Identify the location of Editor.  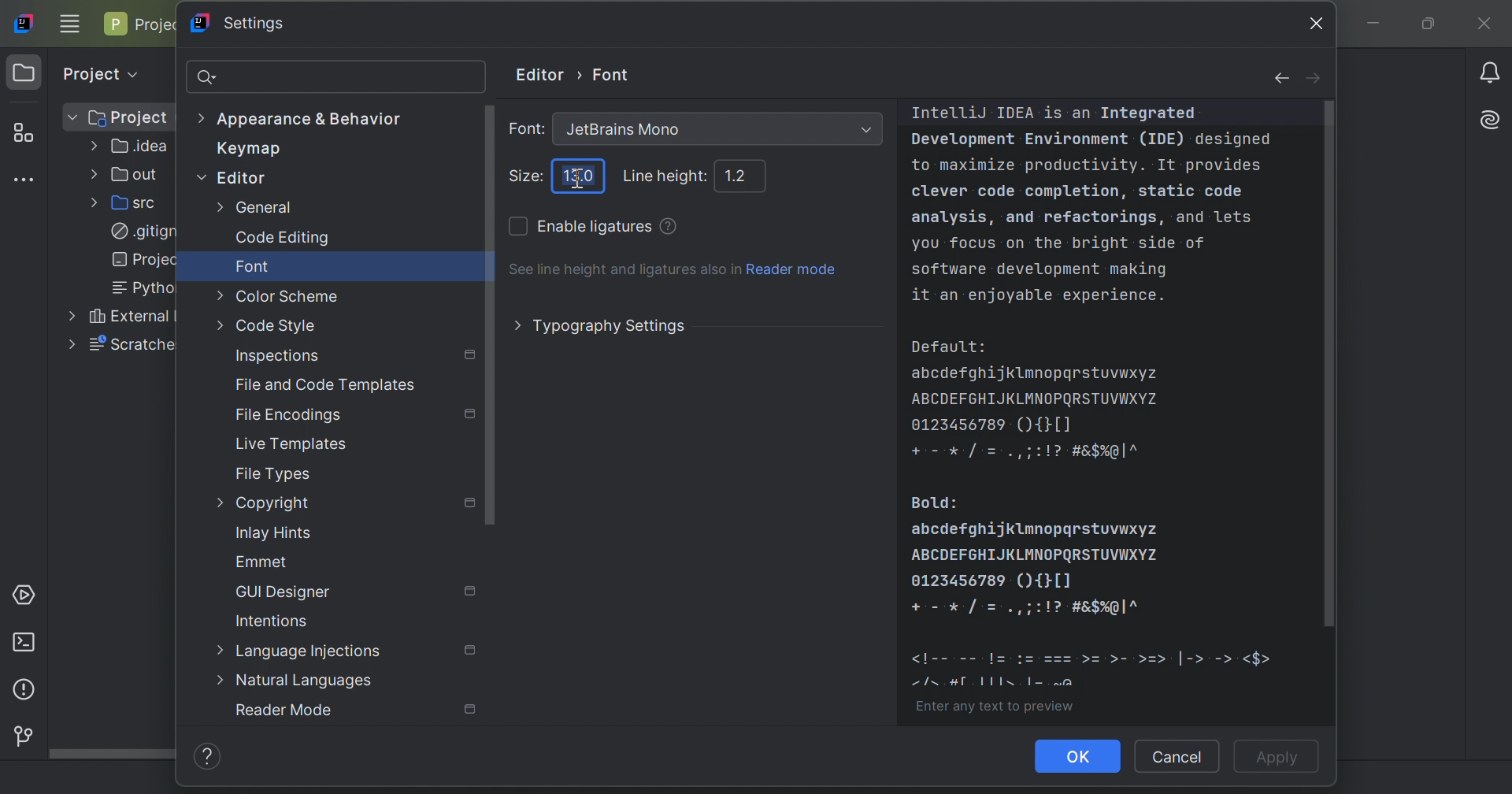
(537, 74).